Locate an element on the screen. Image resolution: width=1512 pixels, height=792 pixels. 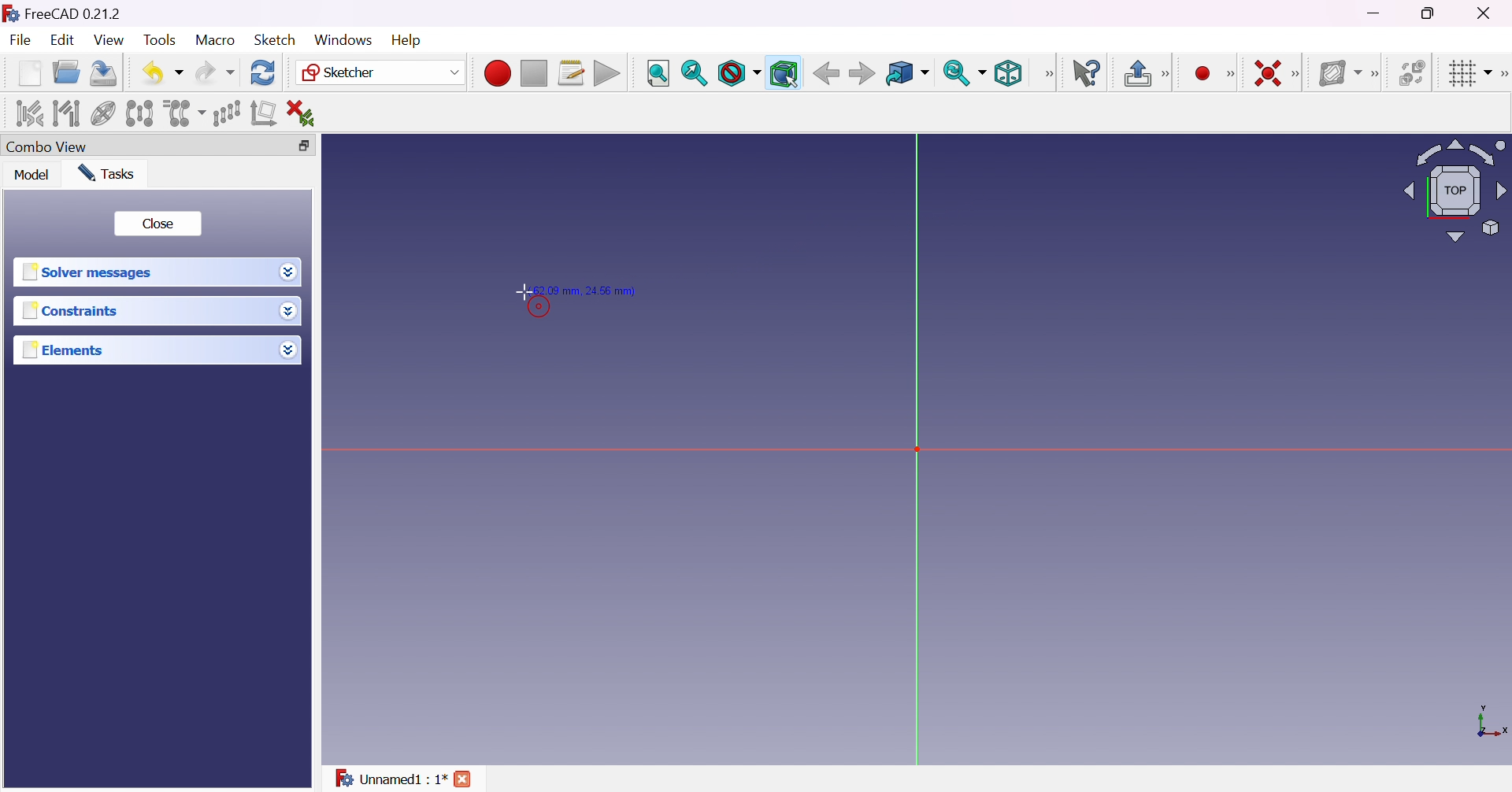
Isometric is located at coordinates (1007, 75).